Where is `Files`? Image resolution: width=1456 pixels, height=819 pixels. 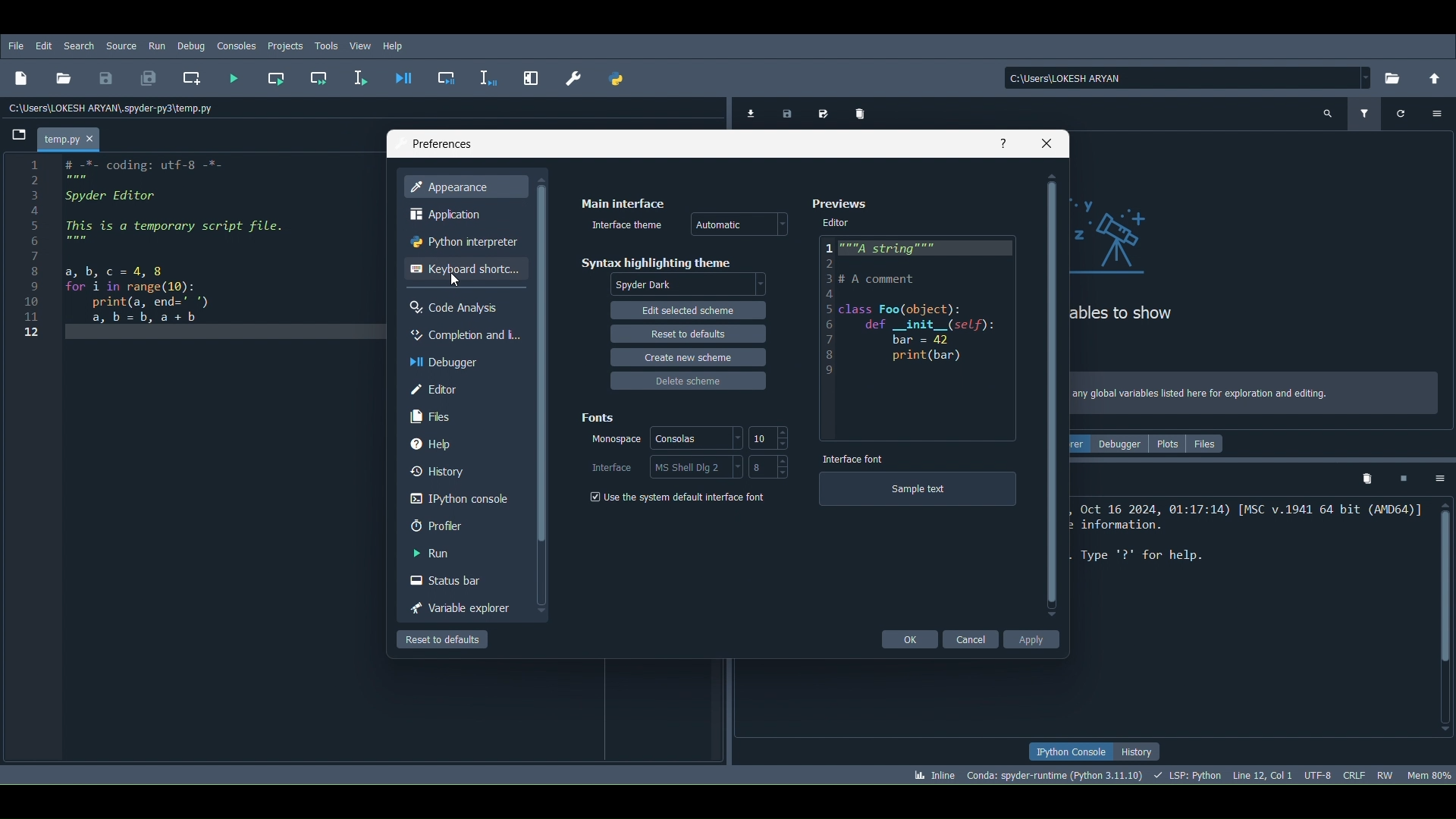 Files is located at coordinates (460, 416).